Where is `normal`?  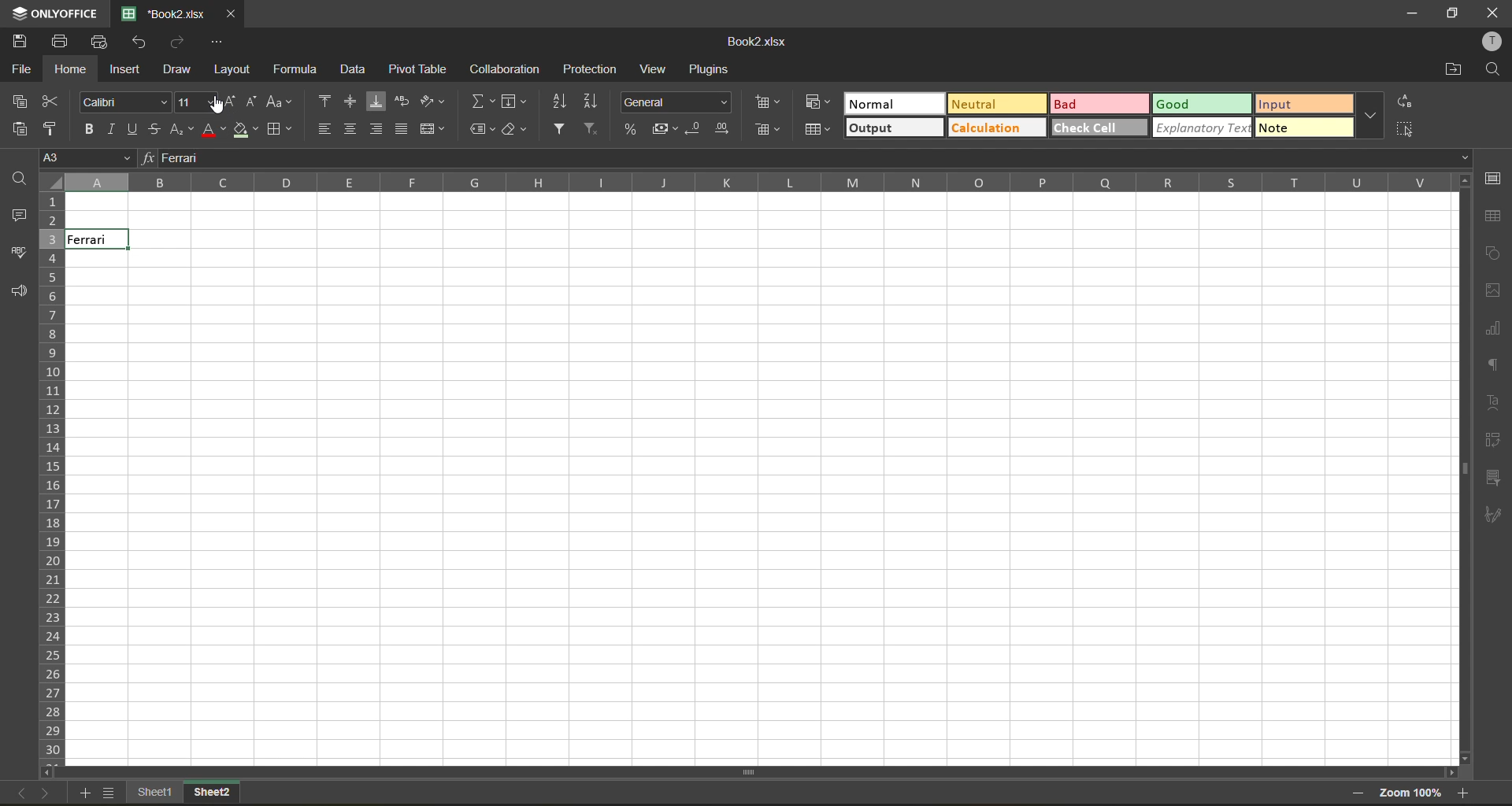
normal is located at coordinates (890, 105).